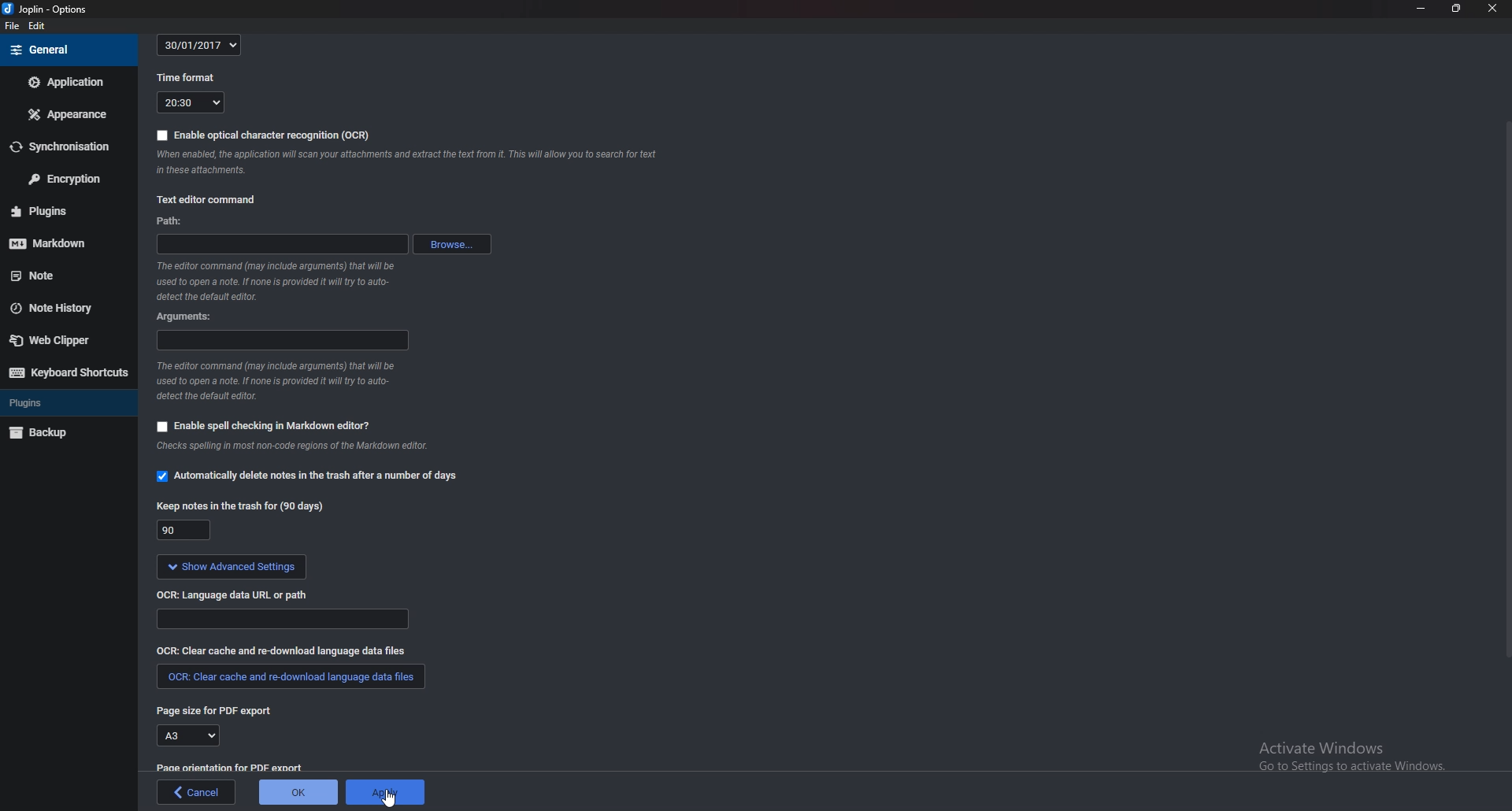 The image size is (1512, 811). I want to click on Web clipper, so click(59, 340).